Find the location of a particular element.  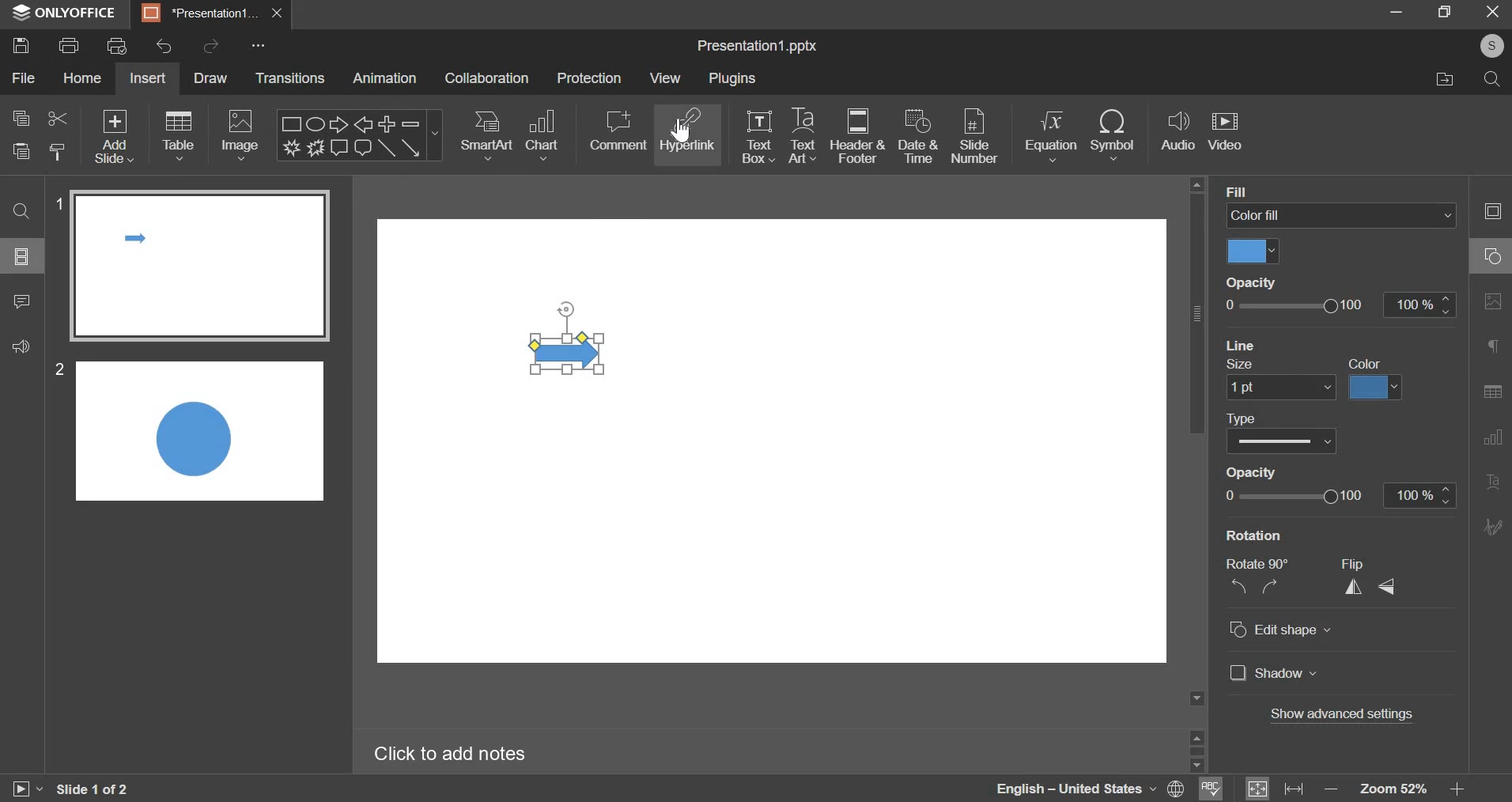

copy is located at coordinates (21, 118).